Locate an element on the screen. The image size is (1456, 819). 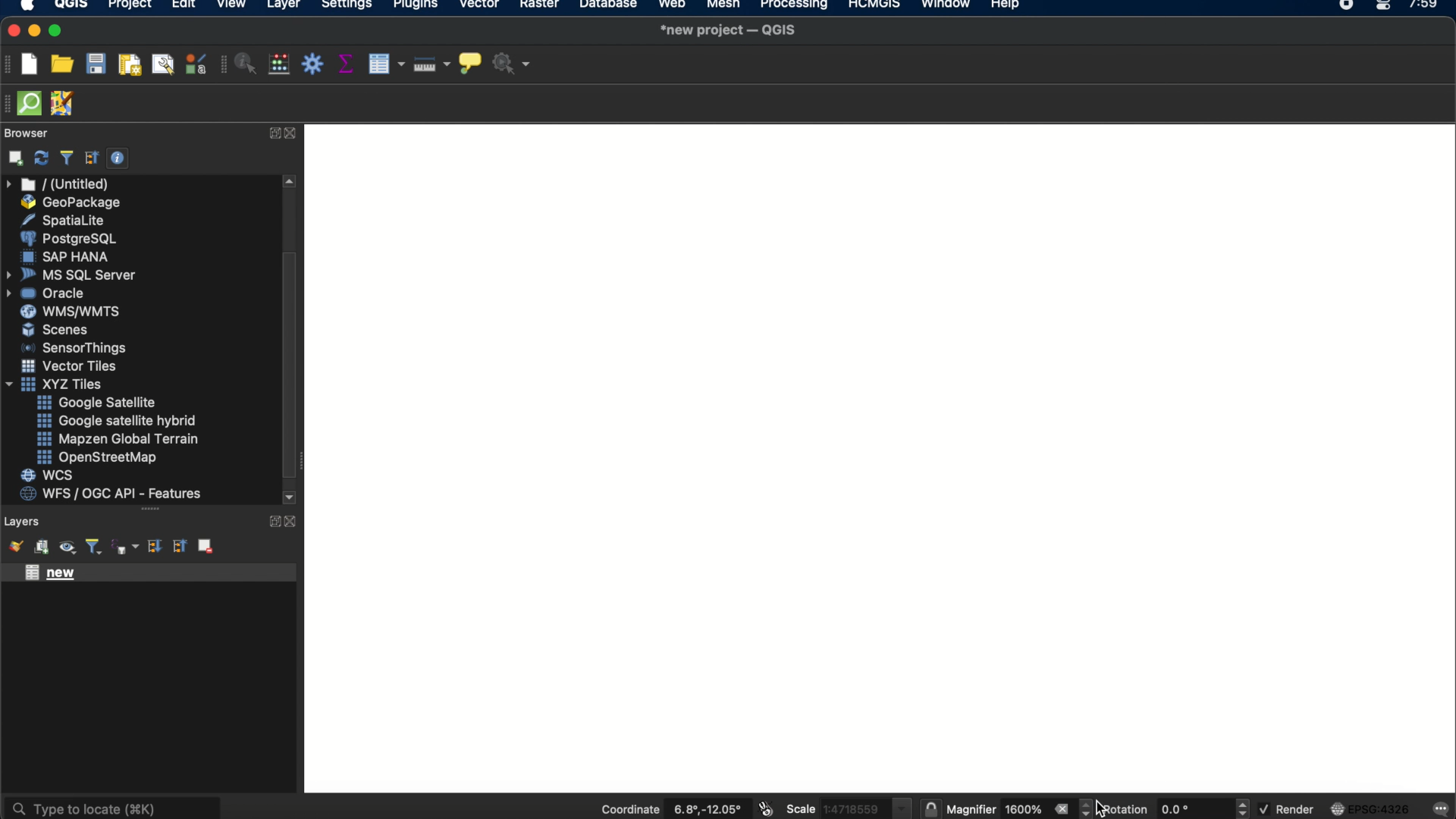
Magnifier is located at coordinates (982, 807).